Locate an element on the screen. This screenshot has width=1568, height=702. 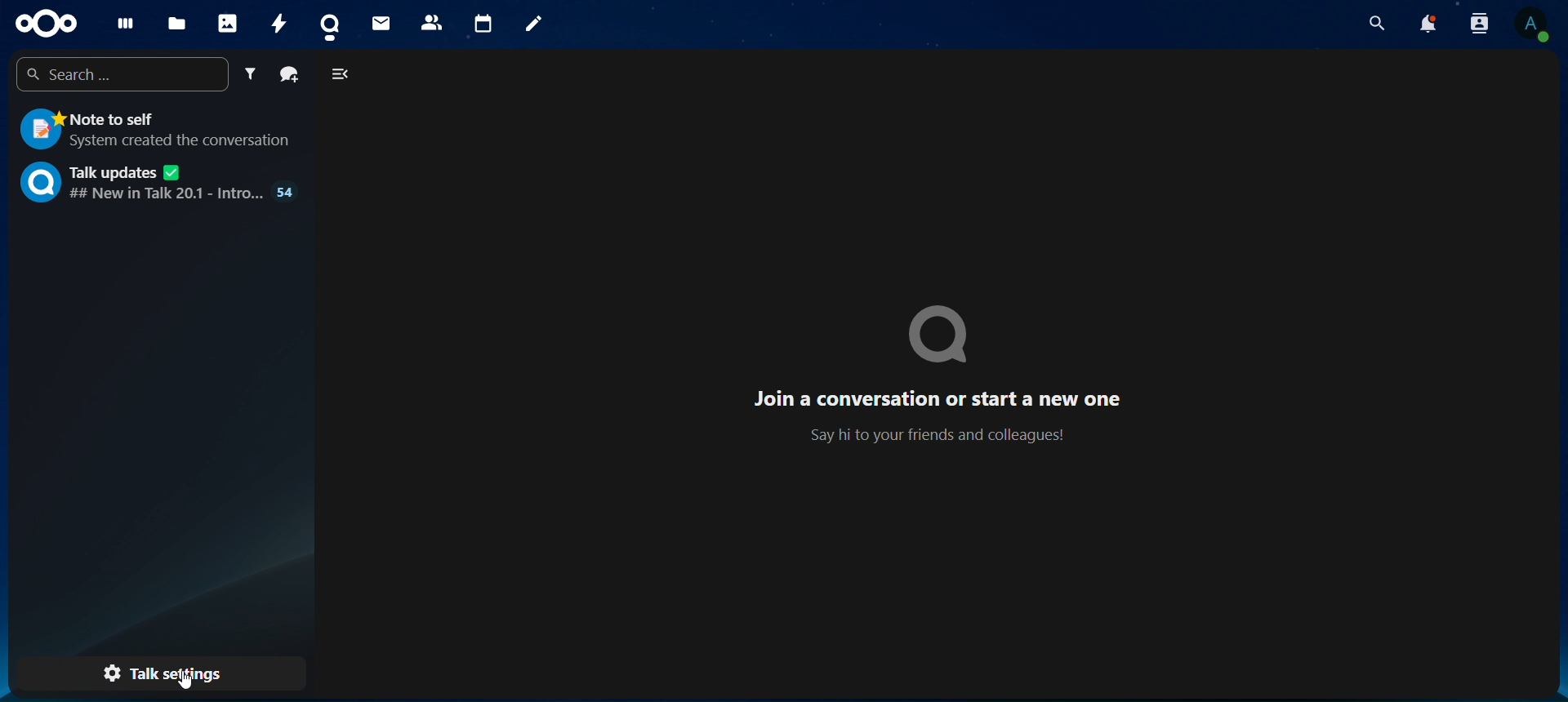
notifications is located at coordinates (1432, 25).